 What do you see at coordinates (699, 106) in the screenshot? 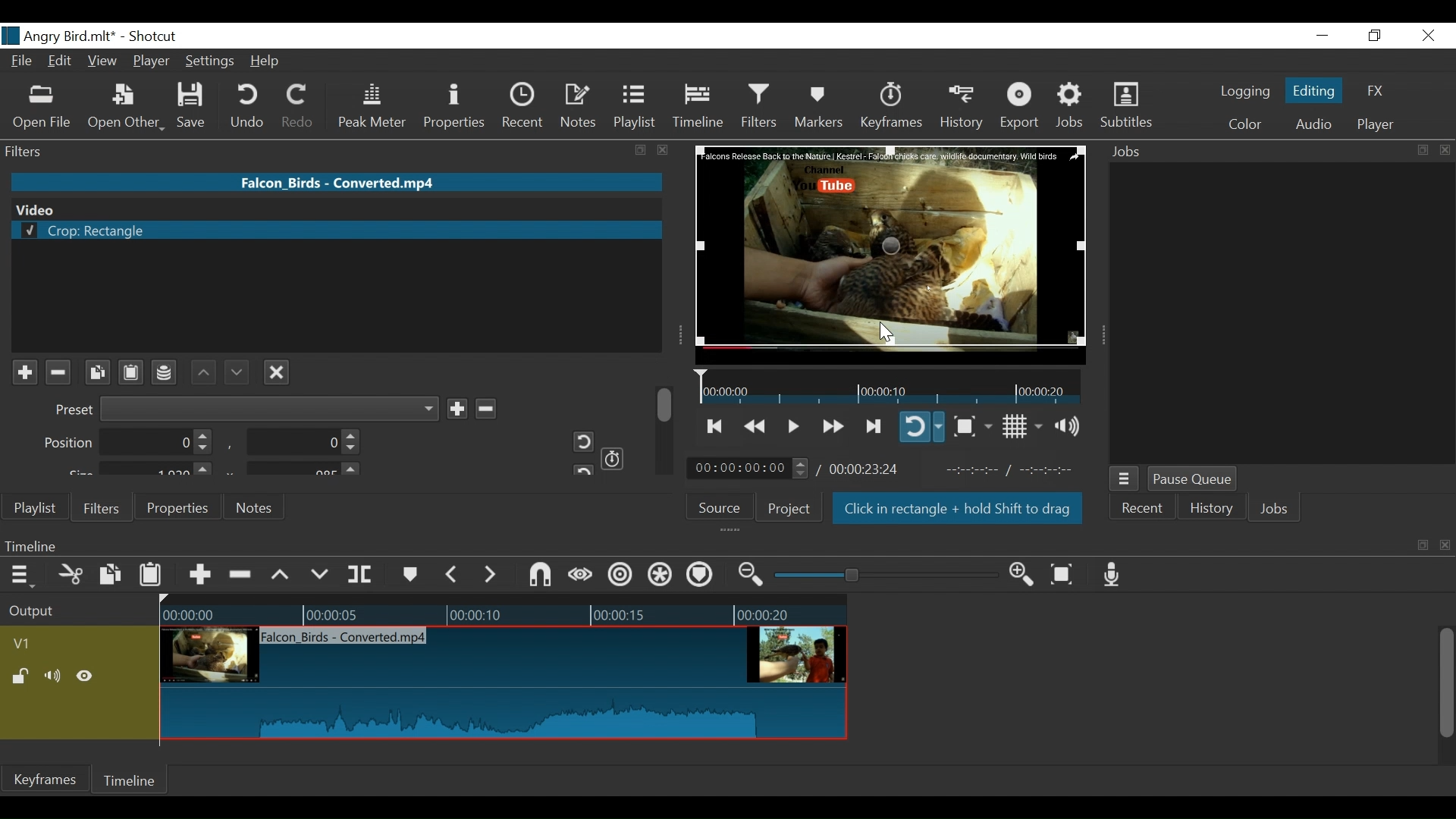
I see `Timeline` at bounding box center [699, 106].